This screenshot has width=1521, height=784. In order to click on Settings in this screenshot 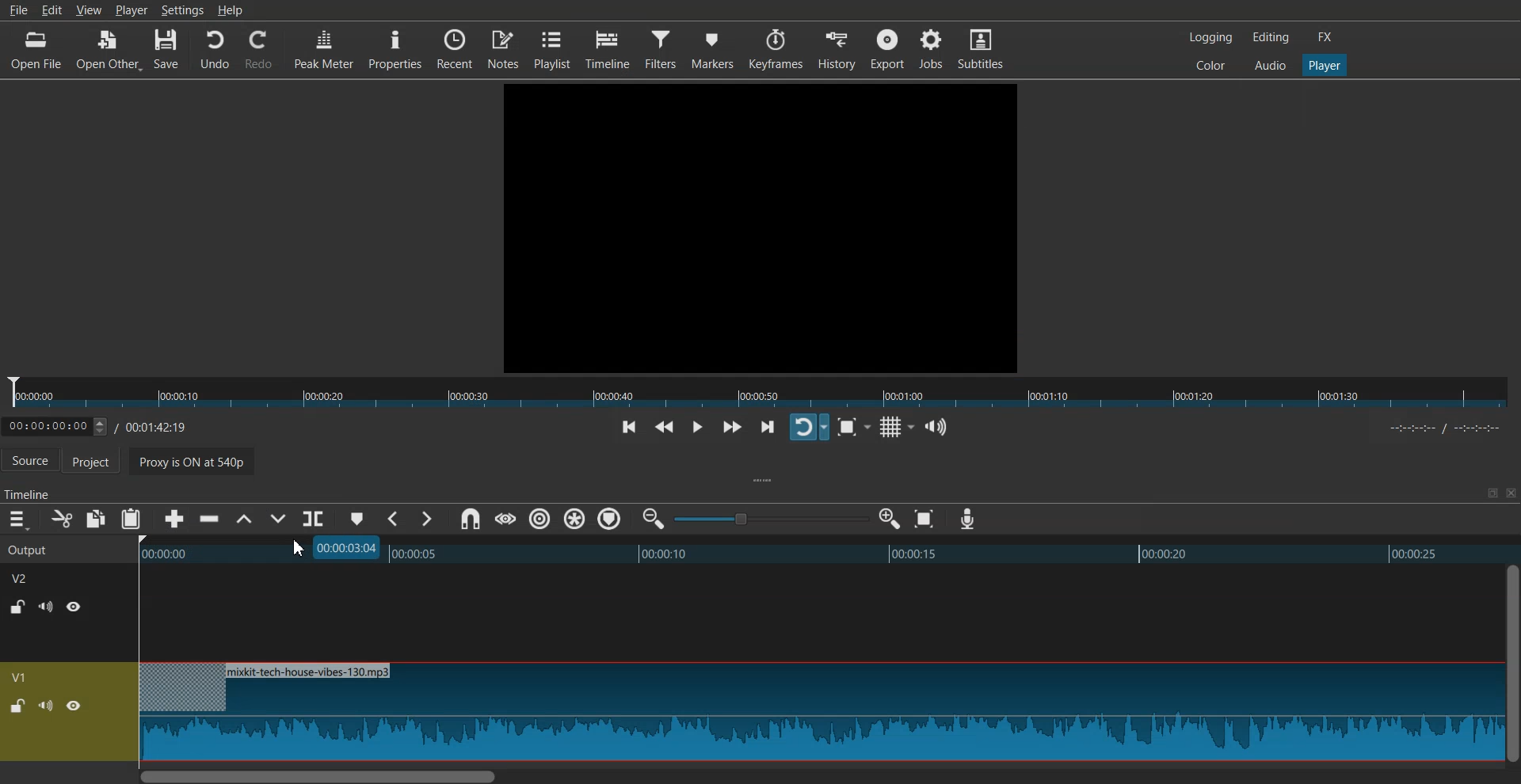, I will do `click(182, 10)`.